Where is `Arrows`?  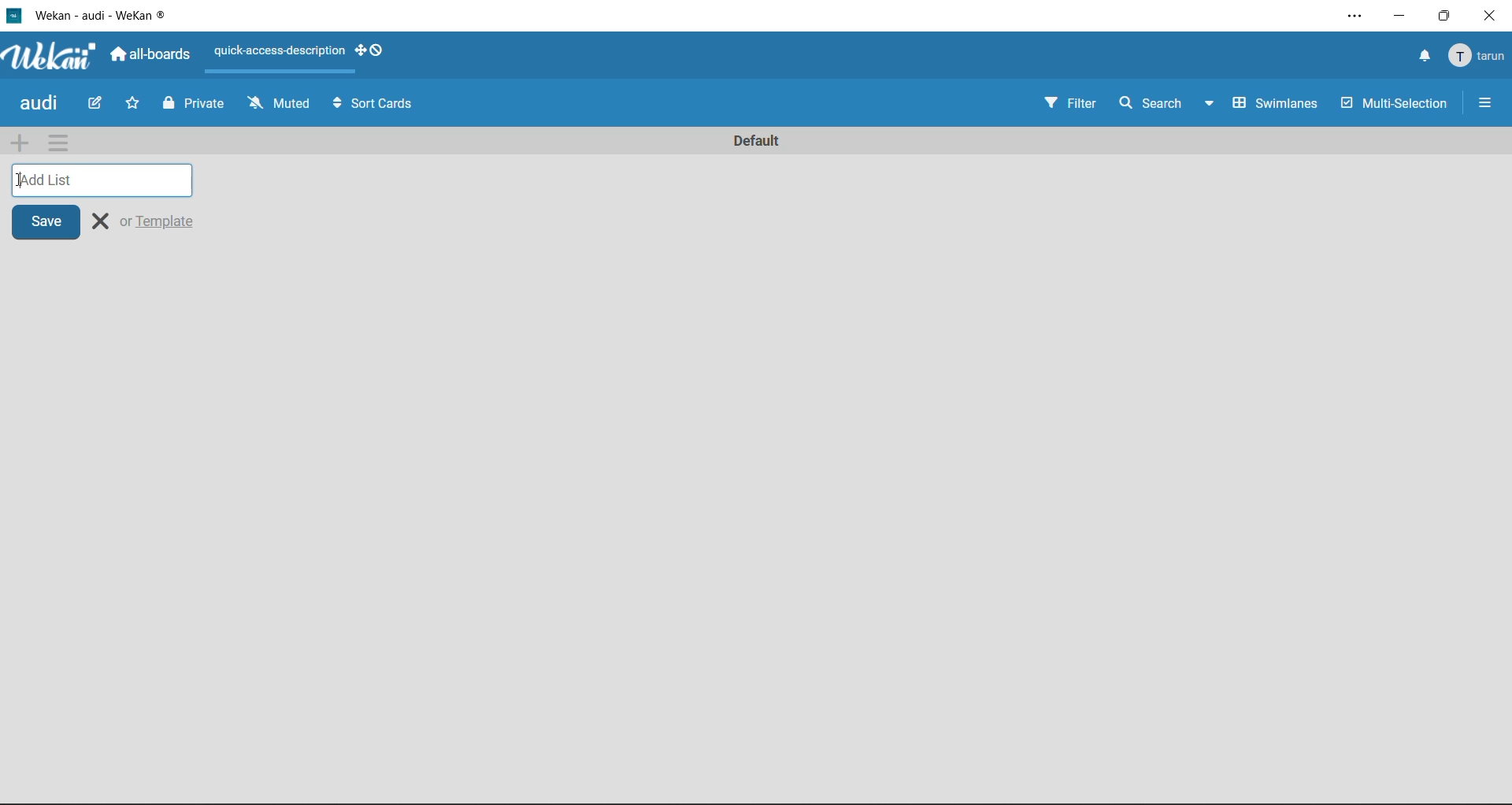 Arrows is located at coordinates (333, 106).